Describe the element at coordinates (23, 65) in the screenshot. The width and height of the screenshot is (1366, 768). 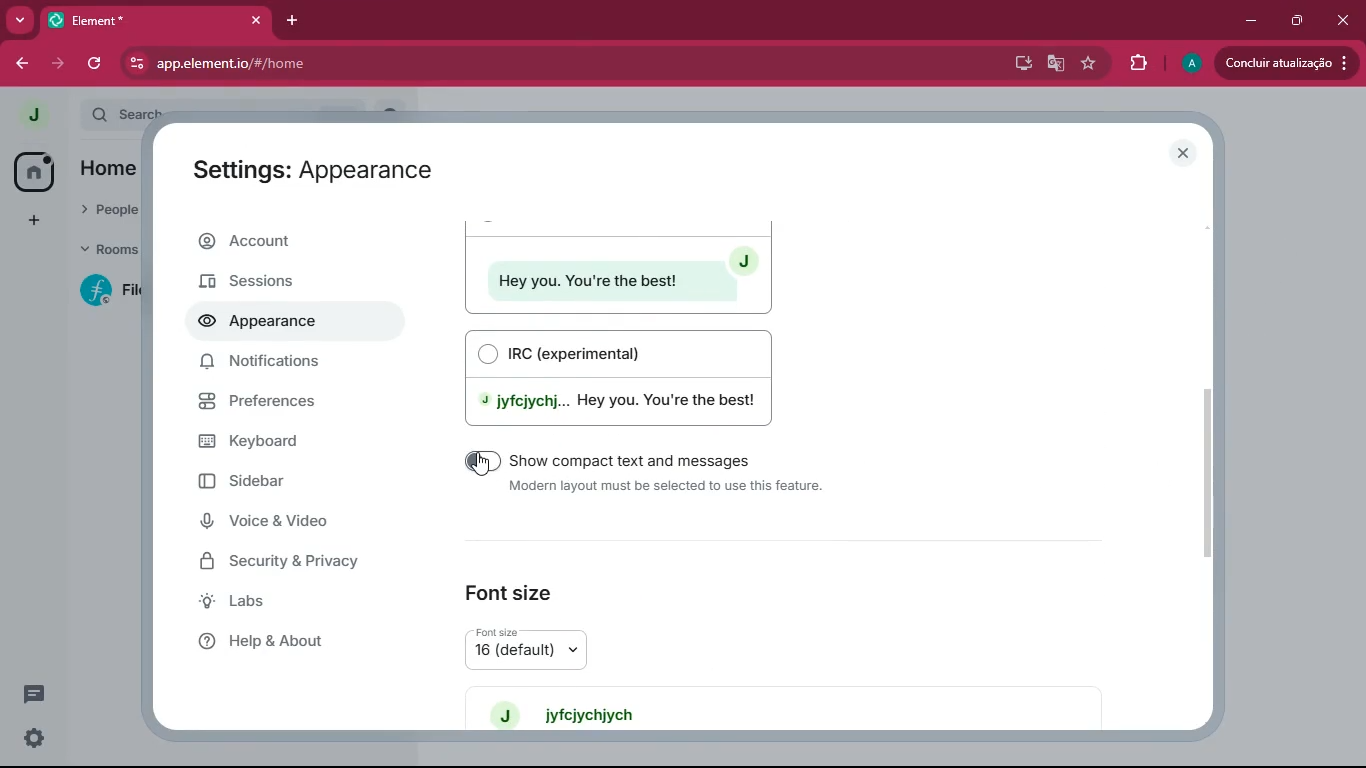
I see `back` at that location.